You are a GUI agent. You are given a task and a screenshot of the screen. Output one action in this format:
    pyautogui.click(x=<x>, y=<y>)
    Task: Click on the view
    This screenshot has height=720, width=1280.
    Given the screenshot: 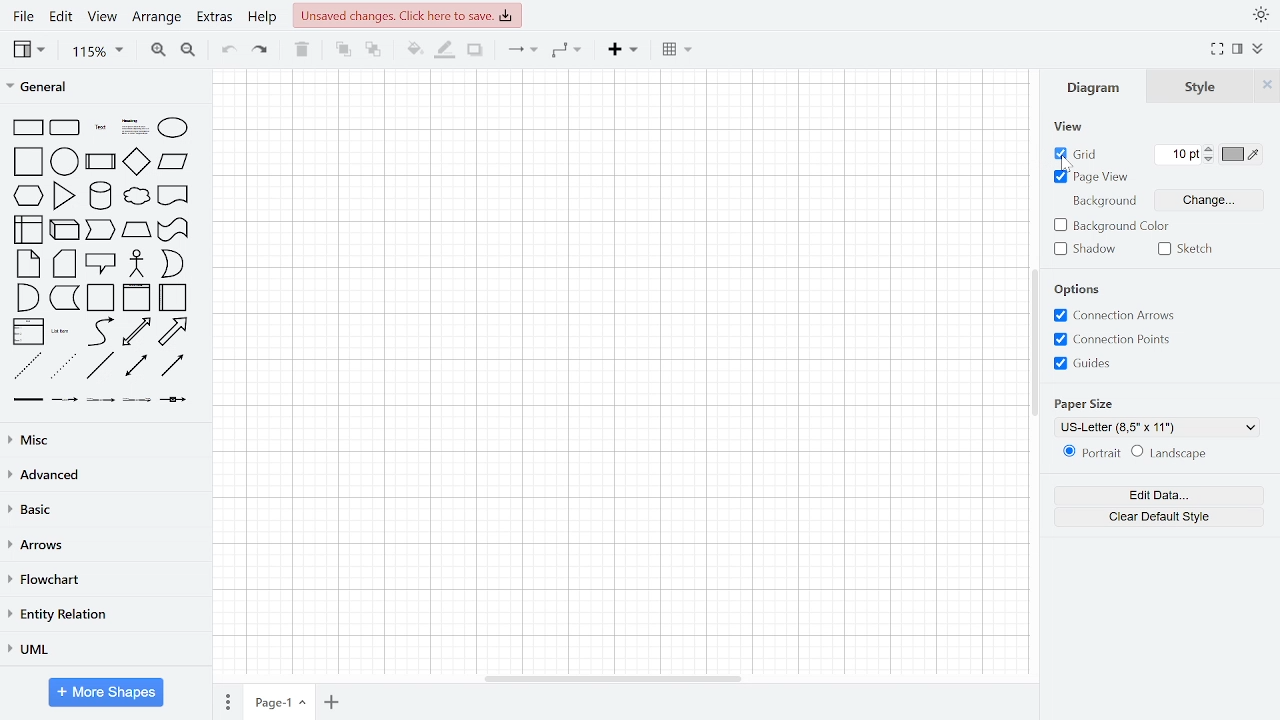 What is the action you would take?
    pyautogui.click(x=31, y=51)
    